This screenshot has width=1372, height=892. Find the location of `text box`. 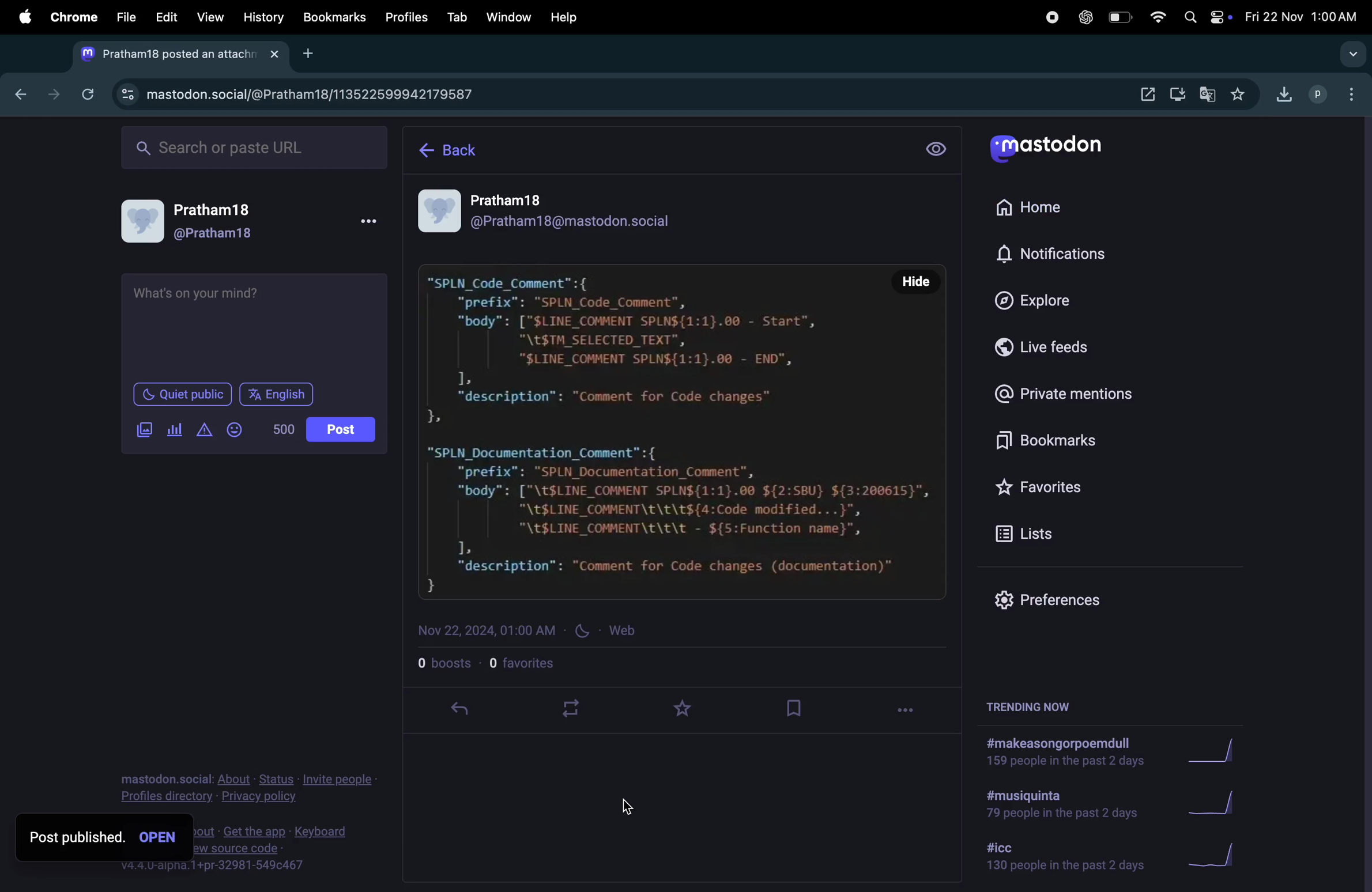

text box is located at coordinates (258, 325).